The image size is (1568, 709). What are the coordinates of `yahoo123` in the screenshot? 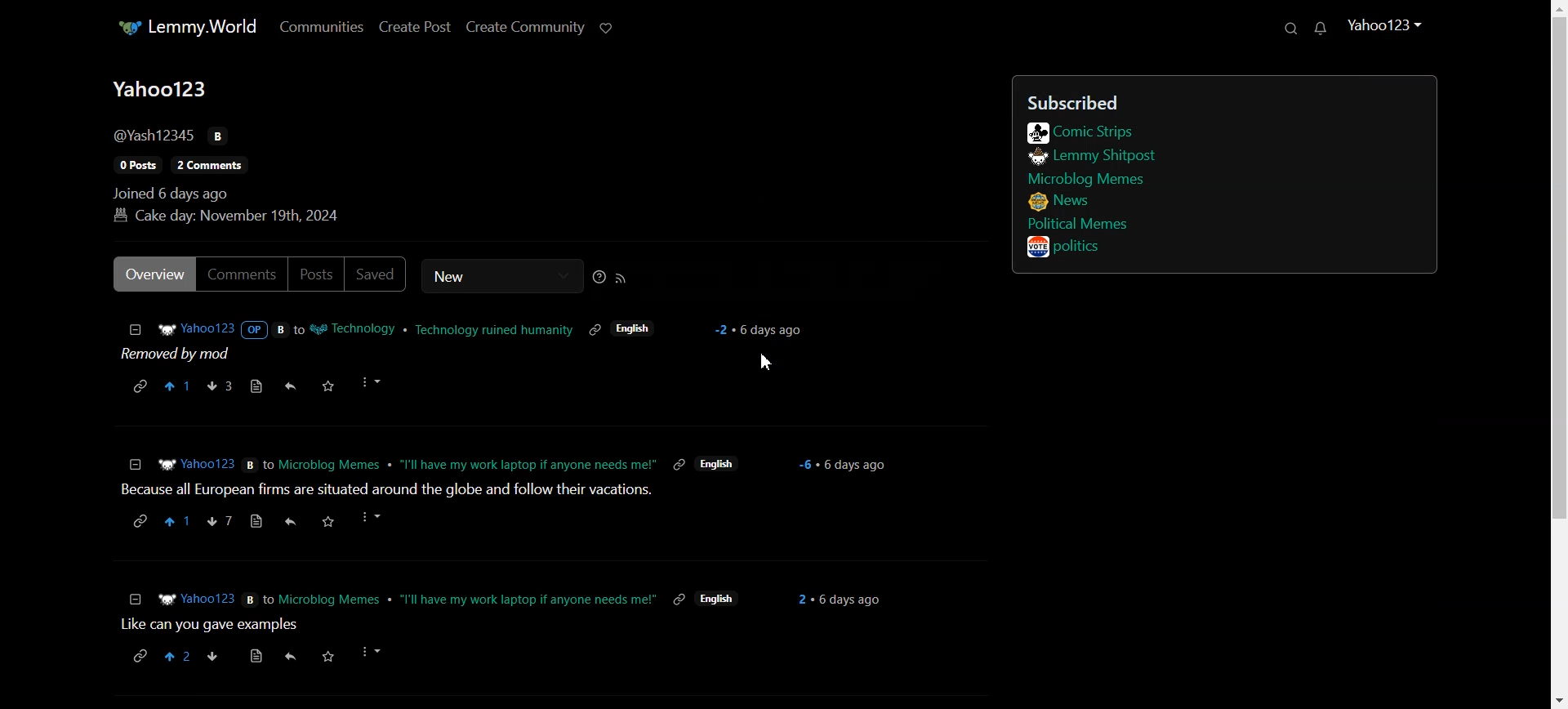 It's located at (1387, 27).